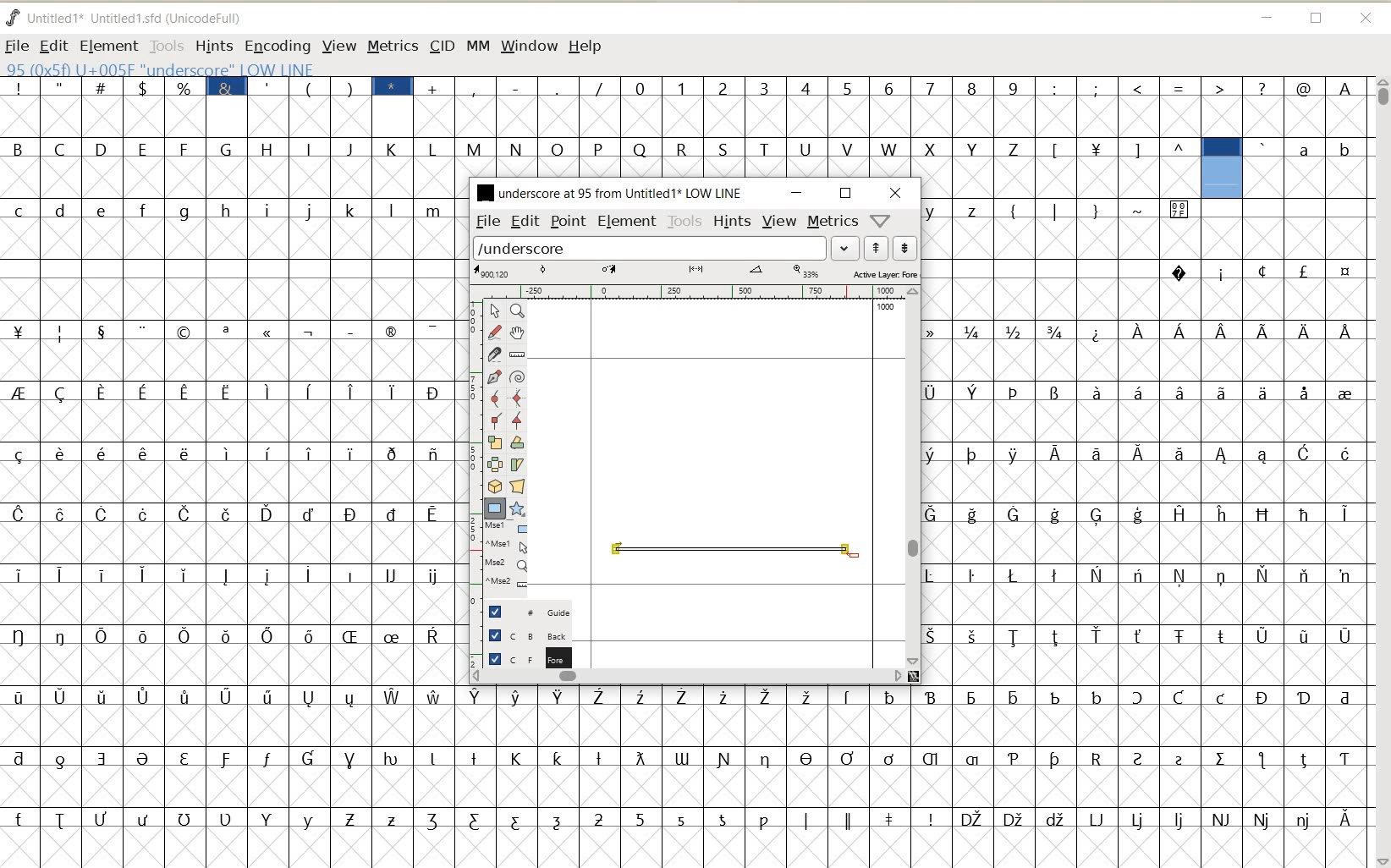 This screenshot has width=1391, height=868. Describe the element at coordinates (1317, 19) in the screenshot. I see `RESTORE` at that location.